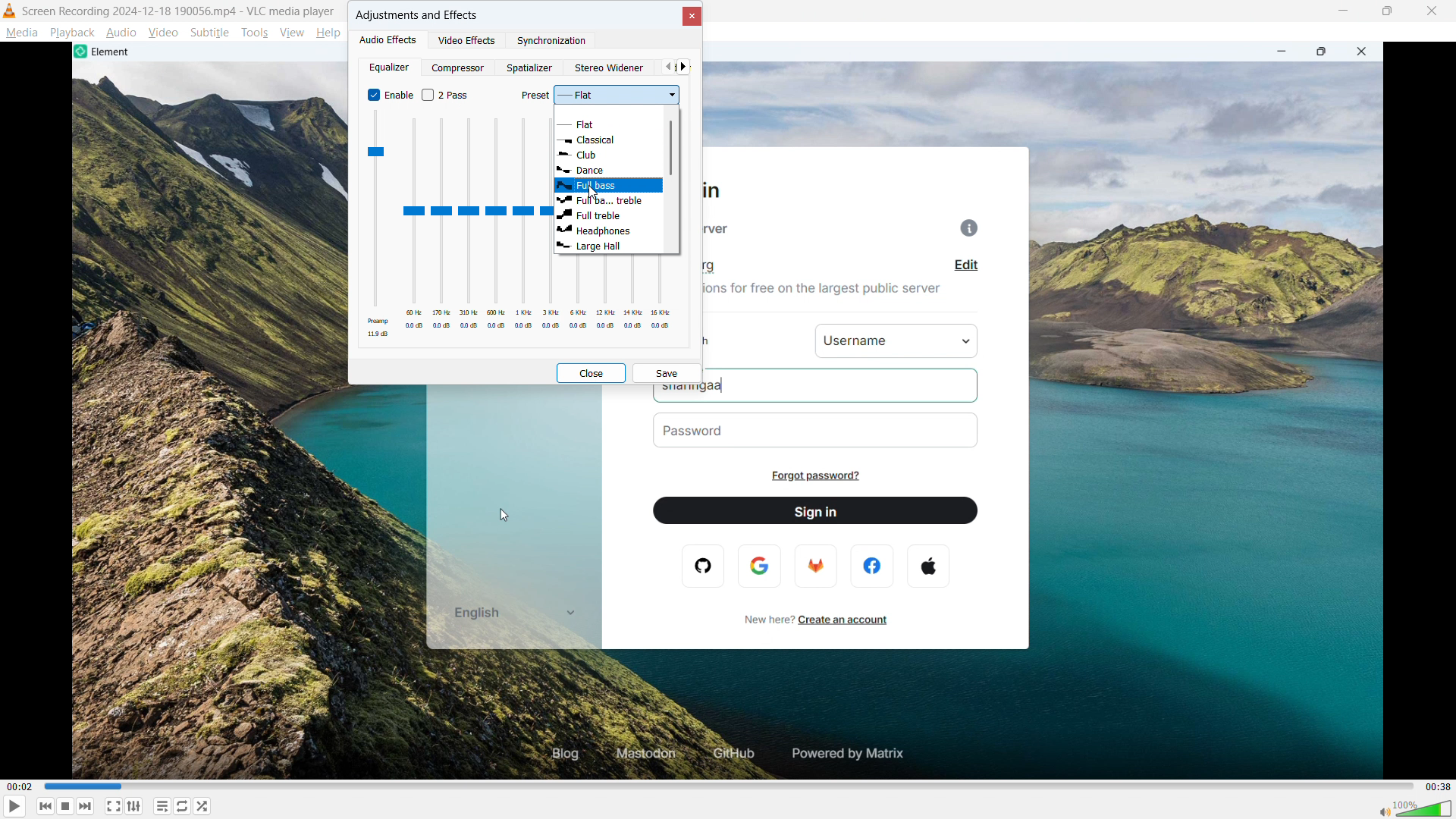 The image size is (1456, 819). Describe the element at coordinates (690, 16) in the screenshot. I see `Close` at that location.